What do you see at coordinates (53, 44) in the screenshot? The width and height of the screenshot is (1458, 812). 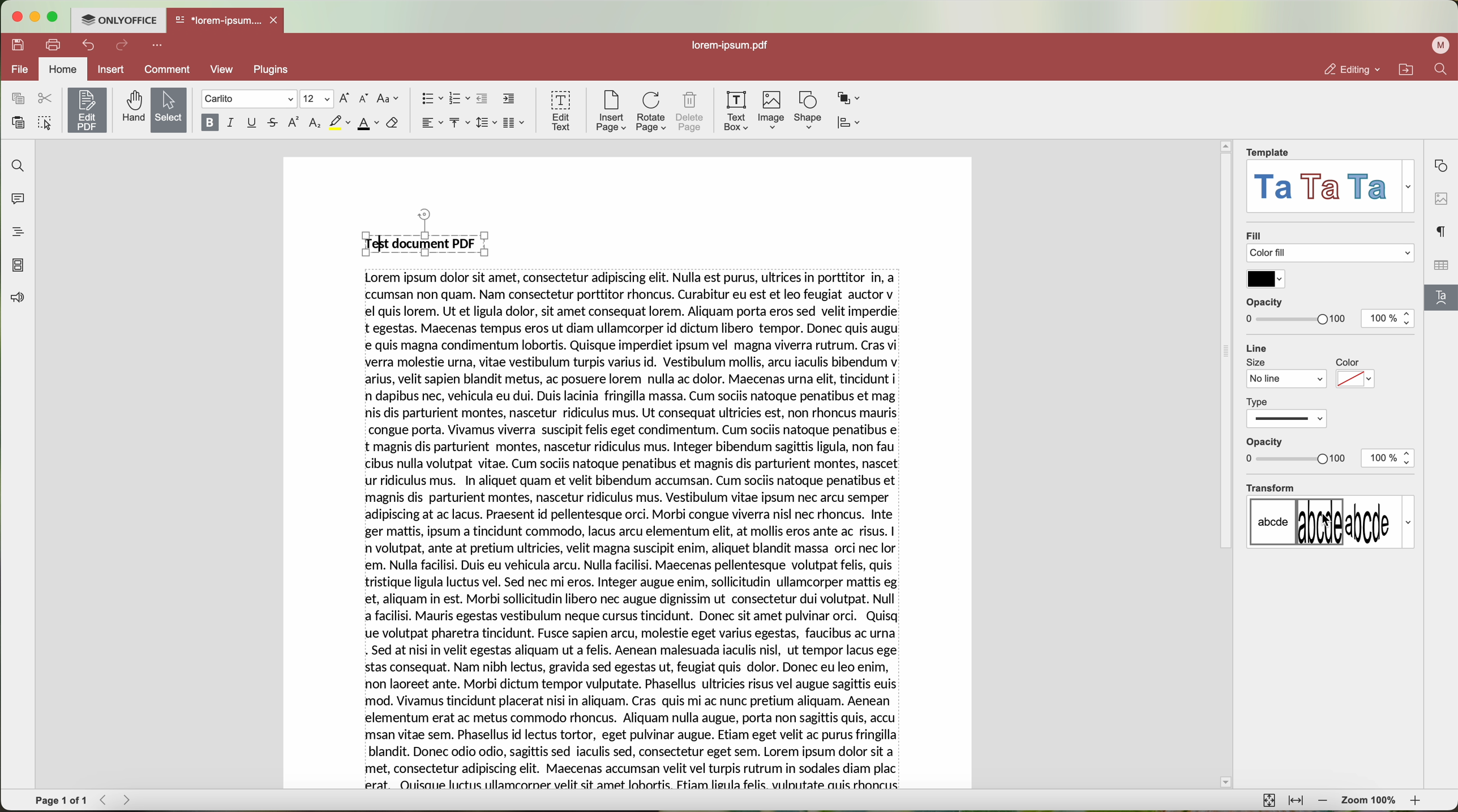 I see `print` at bounding box center [53, 44].